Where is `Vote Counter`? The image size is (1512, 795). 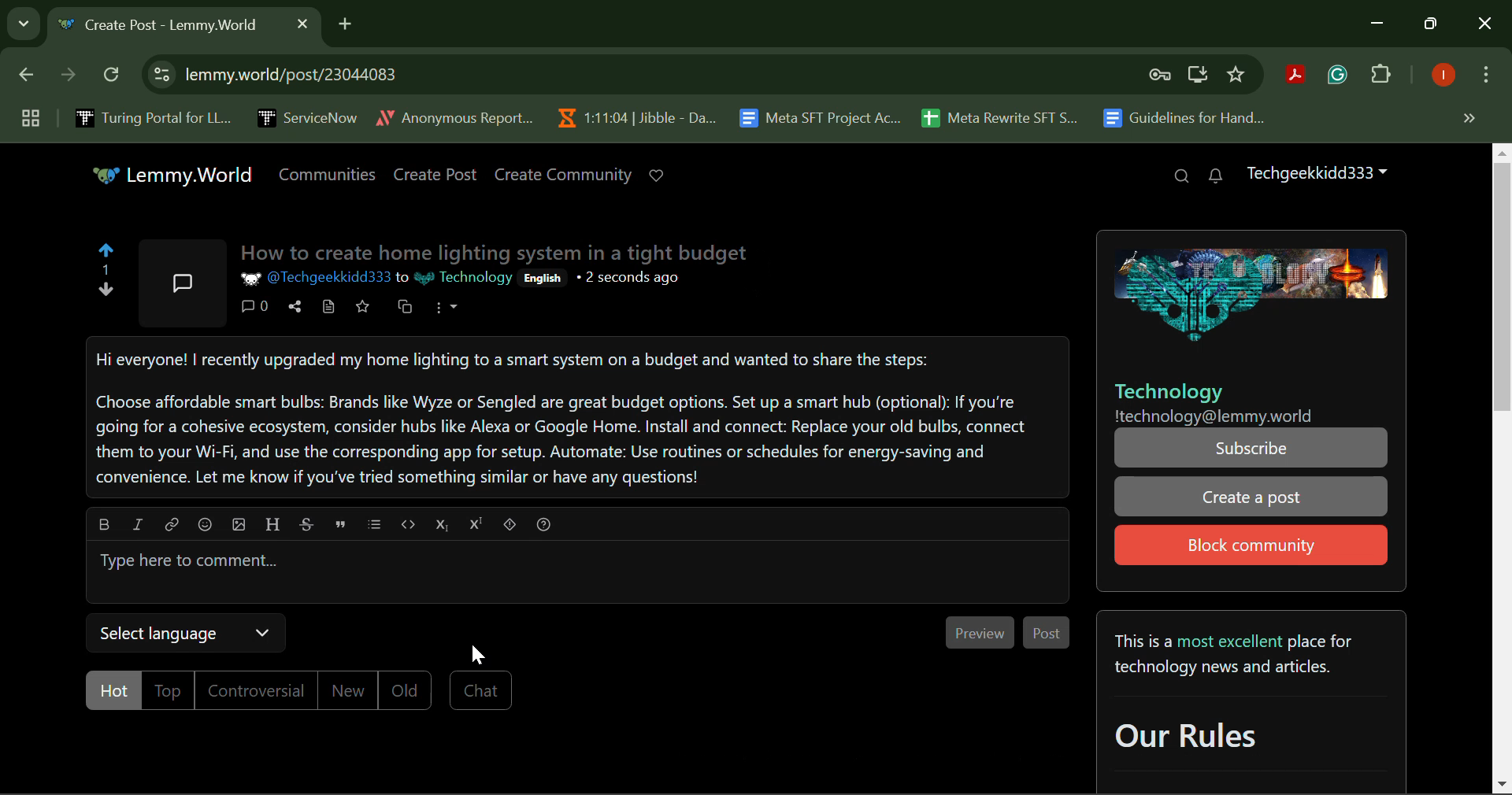 Vote Counter is located at coordinates (108, 272).